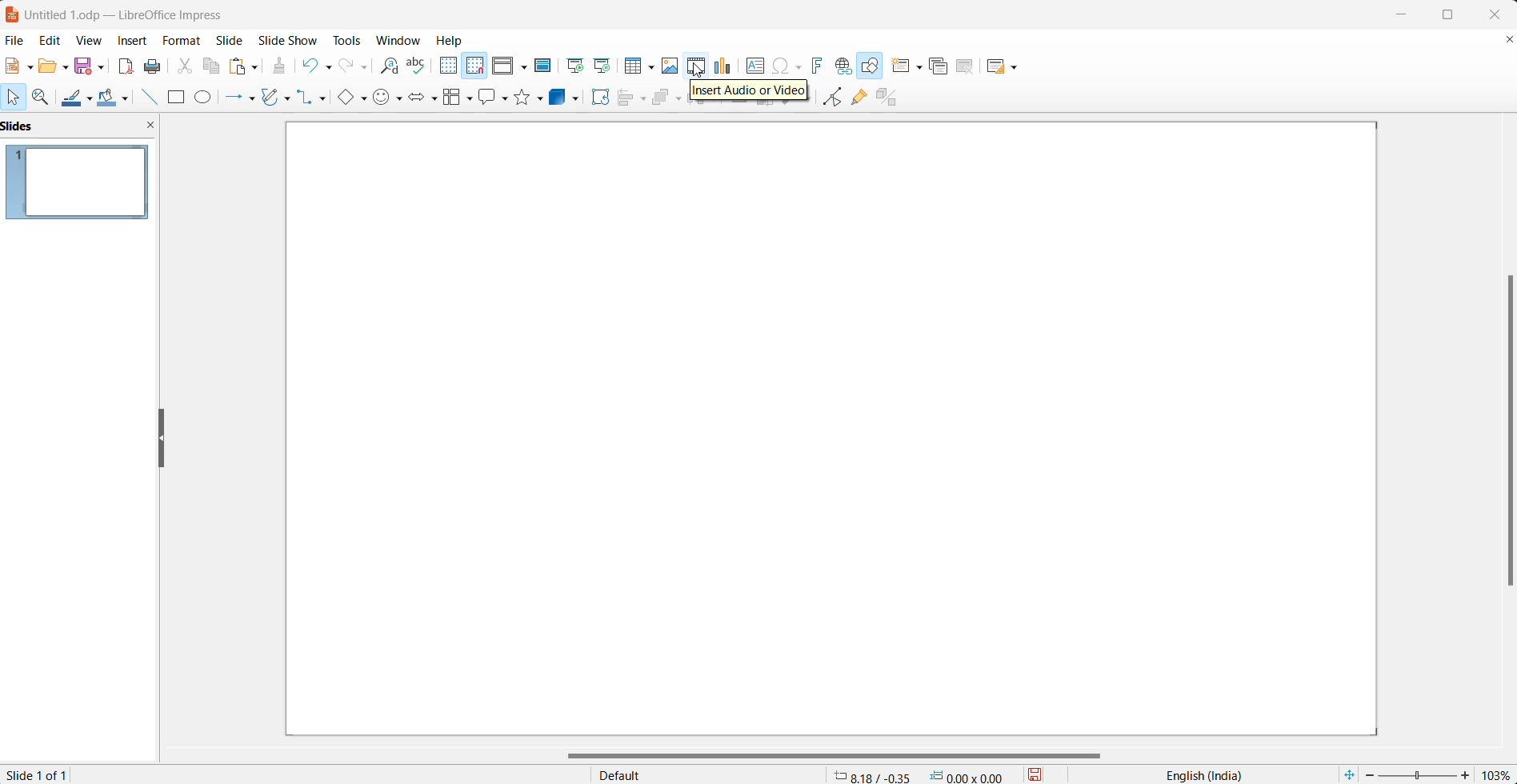 The image size is (1517, 784). I want to click on line and arrows options dropdown button, so click(253, 98).